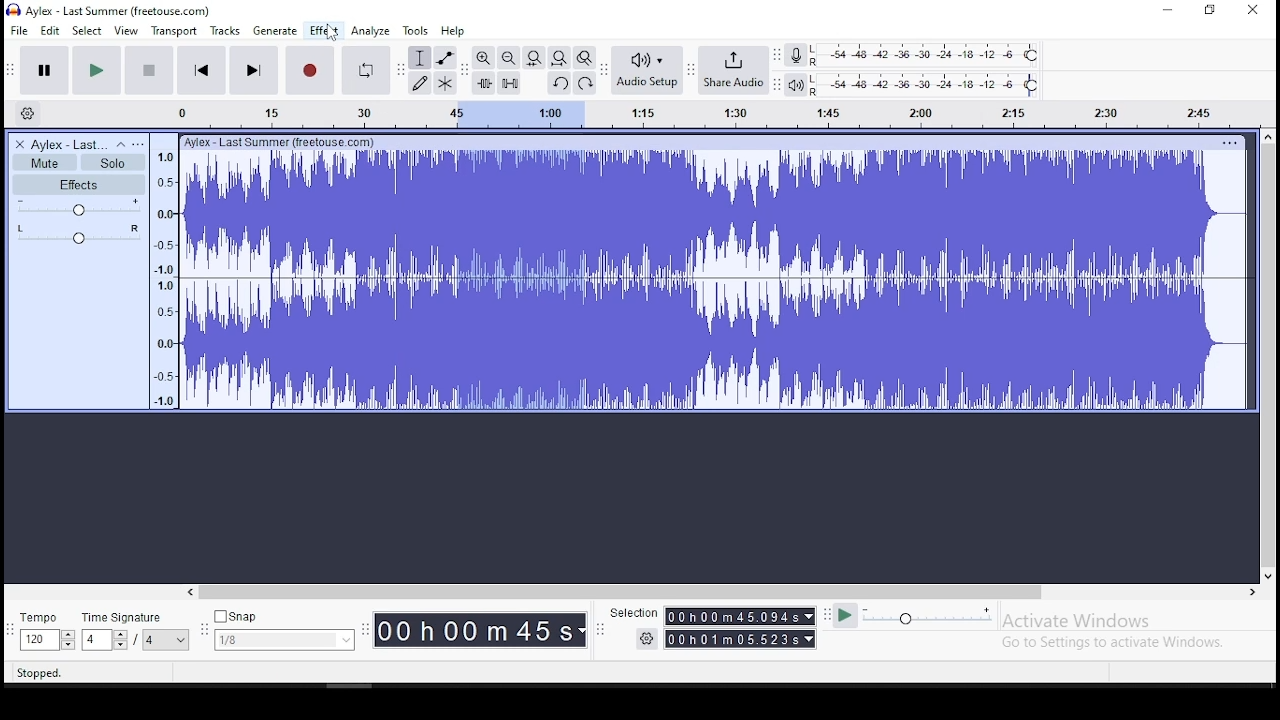 This screenshot has height=720, width=1280. I want to click on edit, so click(50, 31).